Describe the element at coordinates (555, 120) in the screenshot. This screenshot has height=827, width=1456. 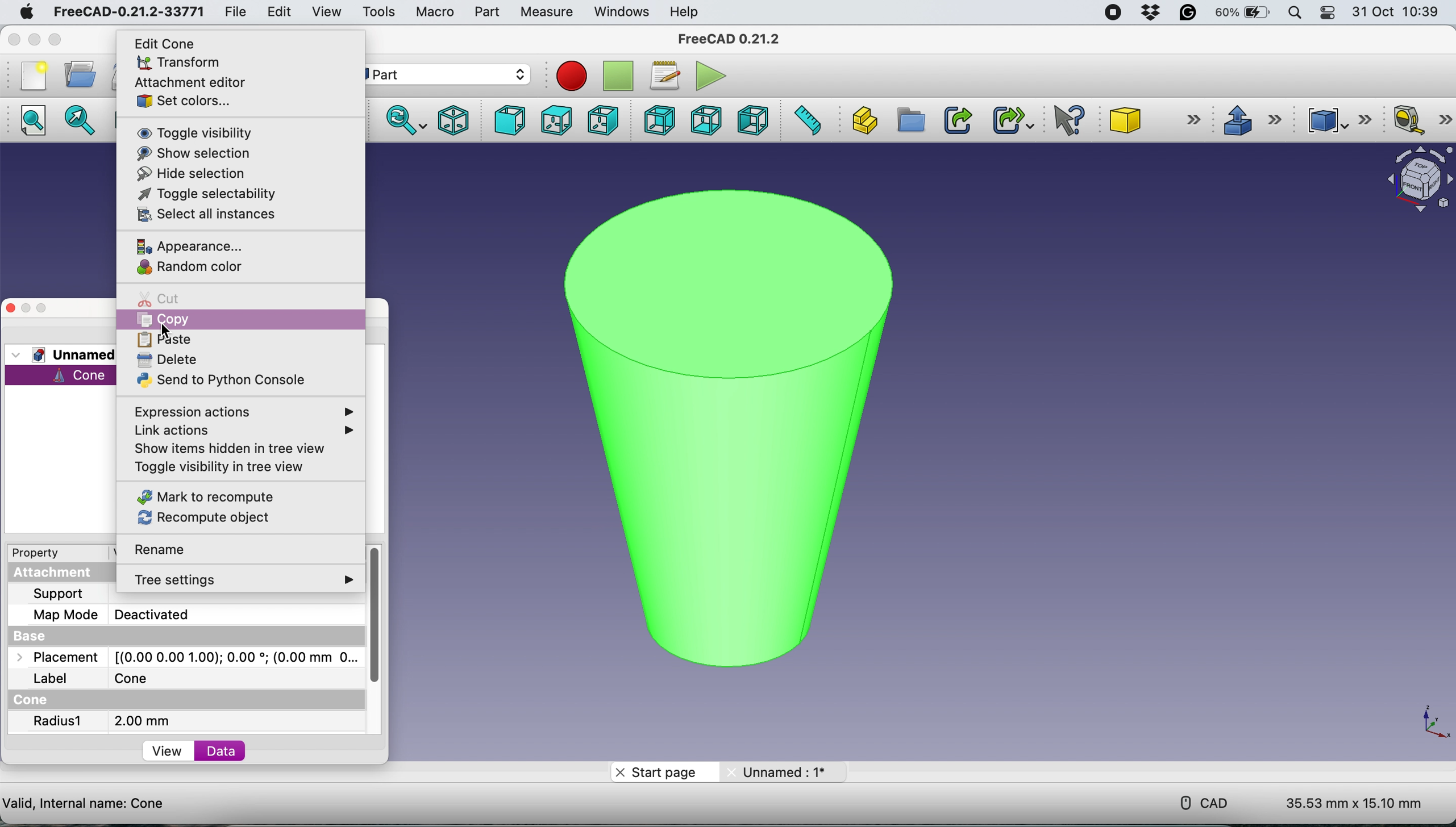
I see `top` at that location.